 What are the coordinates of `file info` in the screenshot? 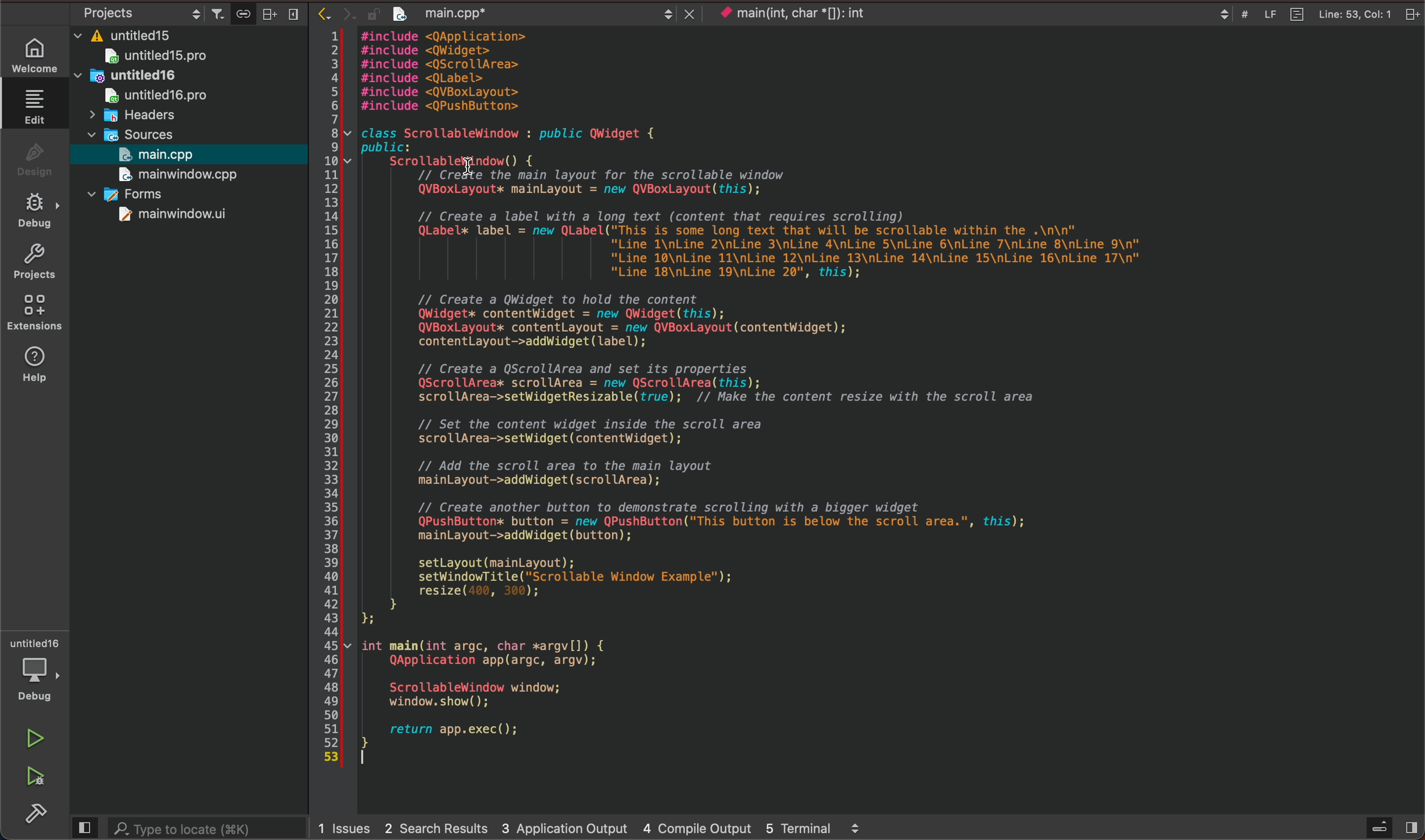 It's located at (1315, 14).